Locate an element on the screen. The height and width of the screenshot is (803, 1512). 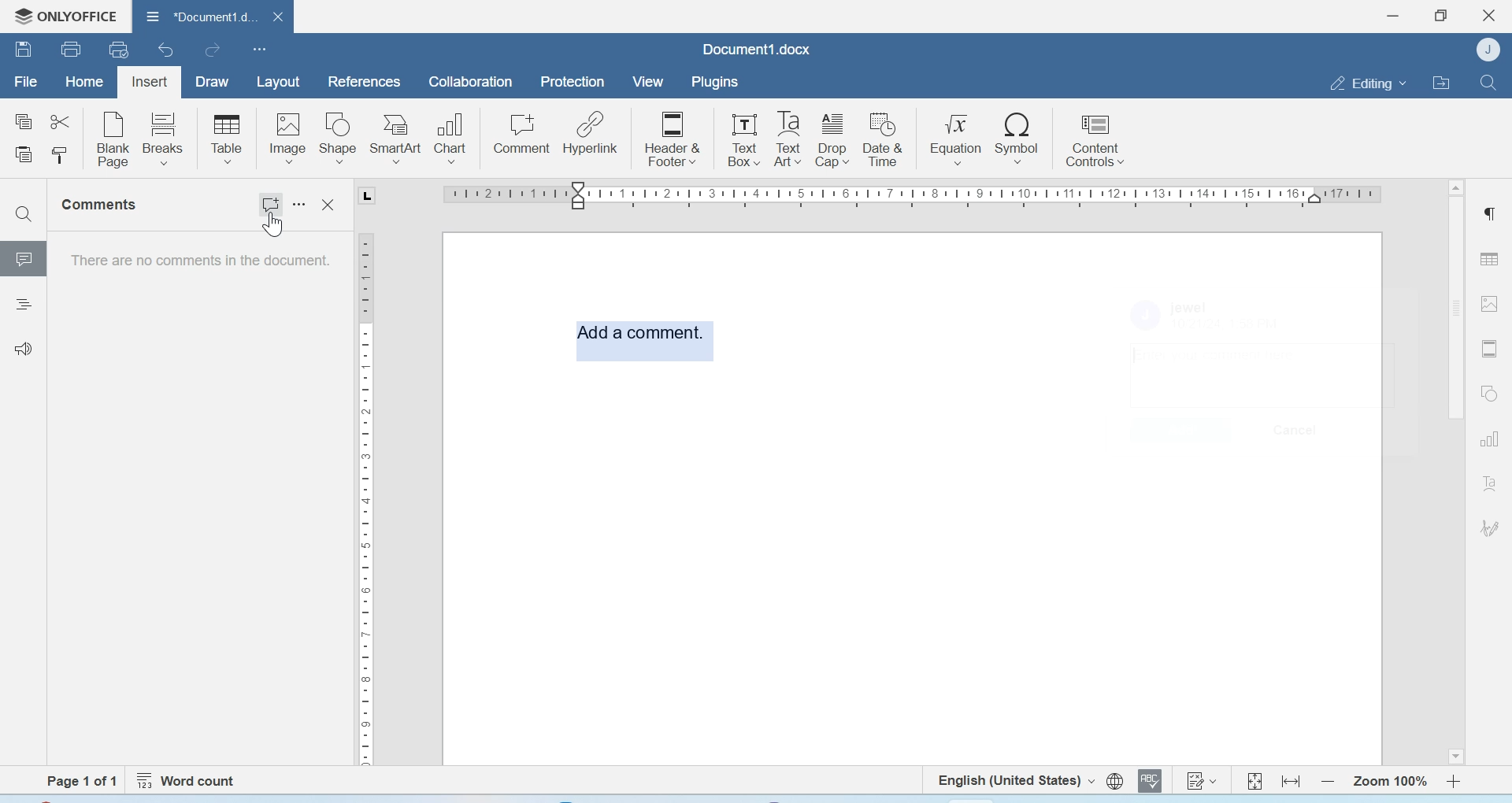
Zoom is located at coordinates (1388, 782).